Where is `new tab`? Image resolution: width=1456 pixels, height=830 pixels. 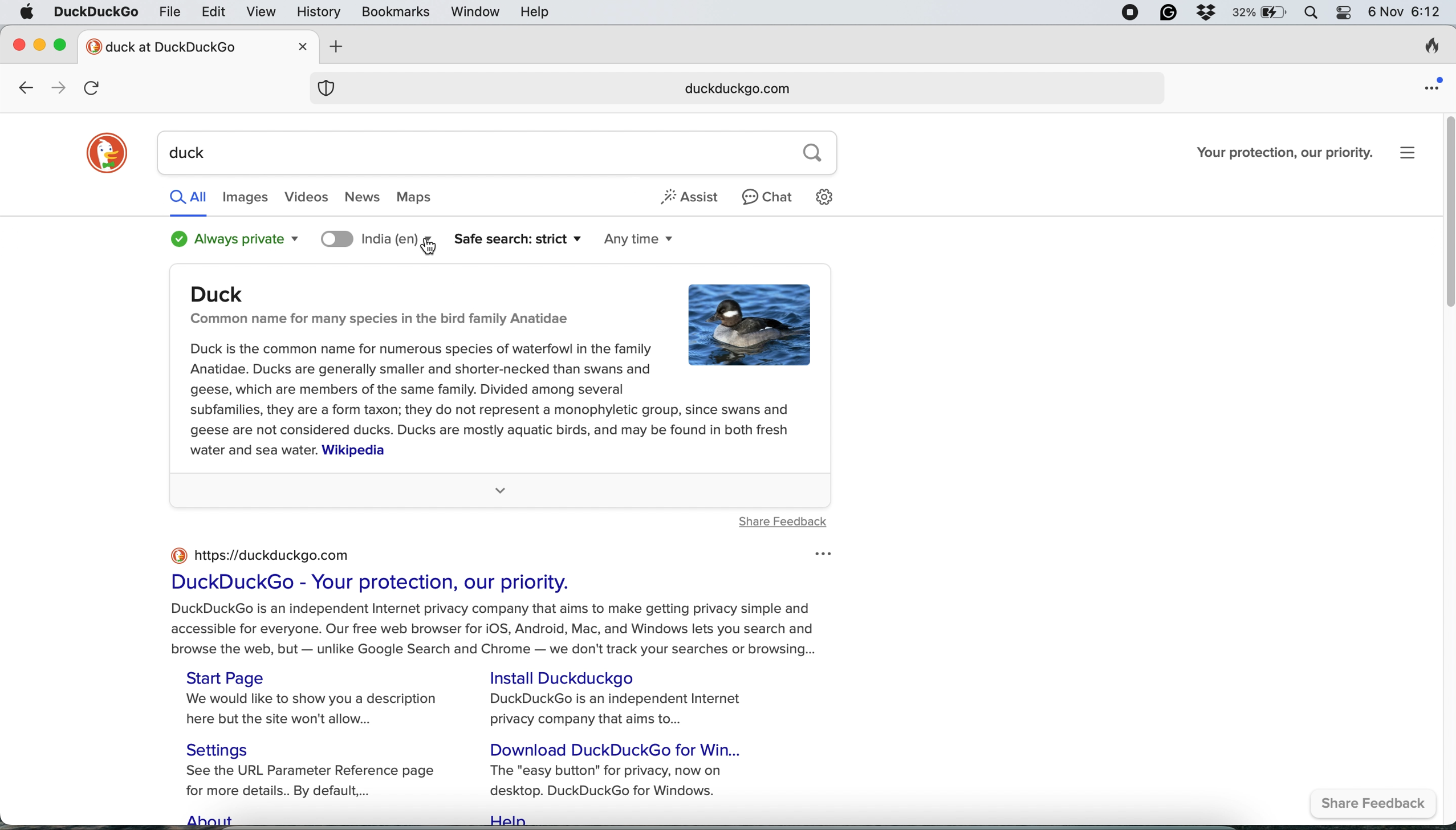 new tab is located at coordinates (186, 46).